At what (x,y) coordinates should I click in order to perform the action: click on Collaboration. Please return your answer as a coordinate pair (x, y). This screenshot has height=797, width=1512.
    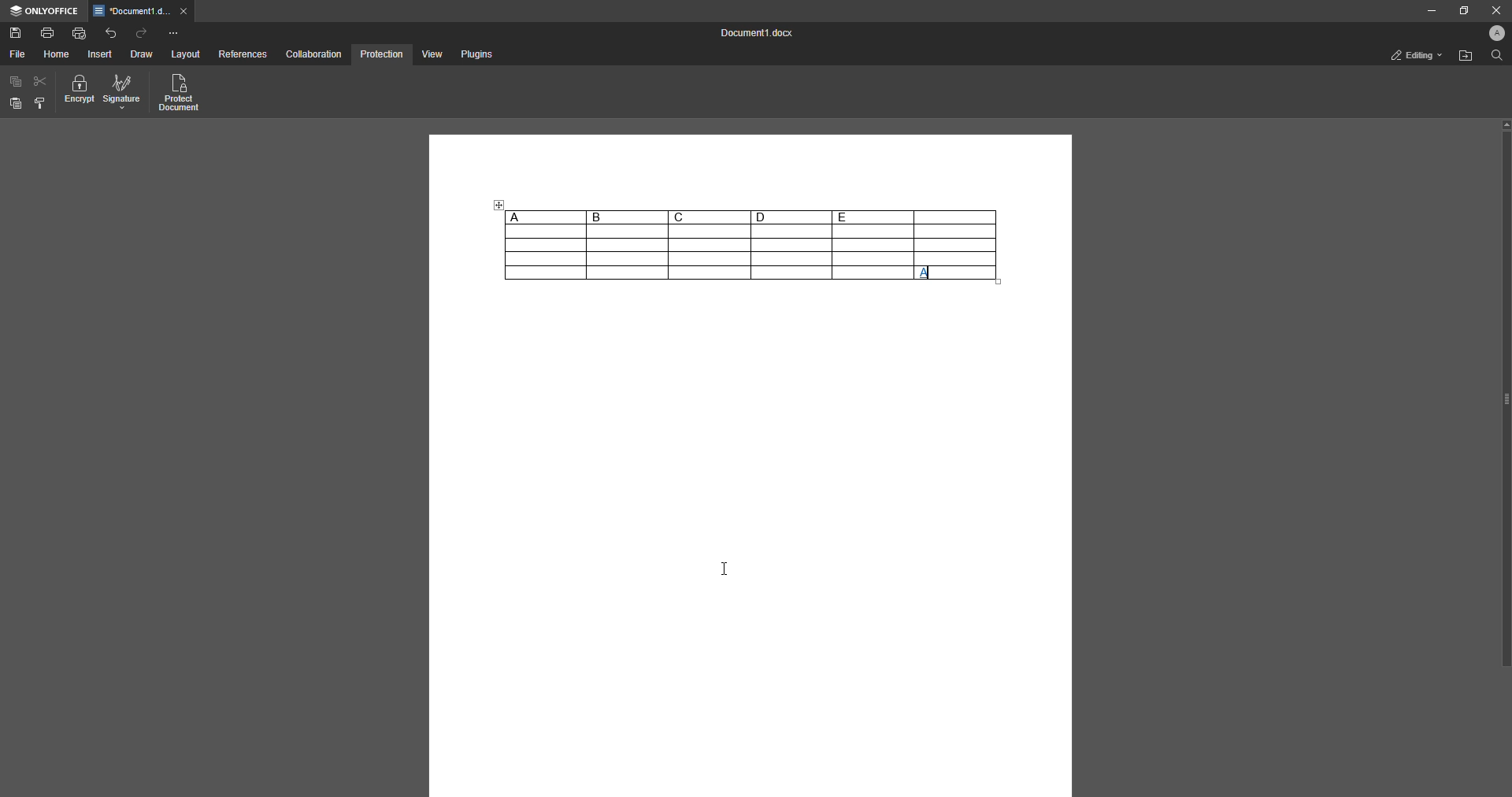
    Looking at the image, I should click on (314, 54).